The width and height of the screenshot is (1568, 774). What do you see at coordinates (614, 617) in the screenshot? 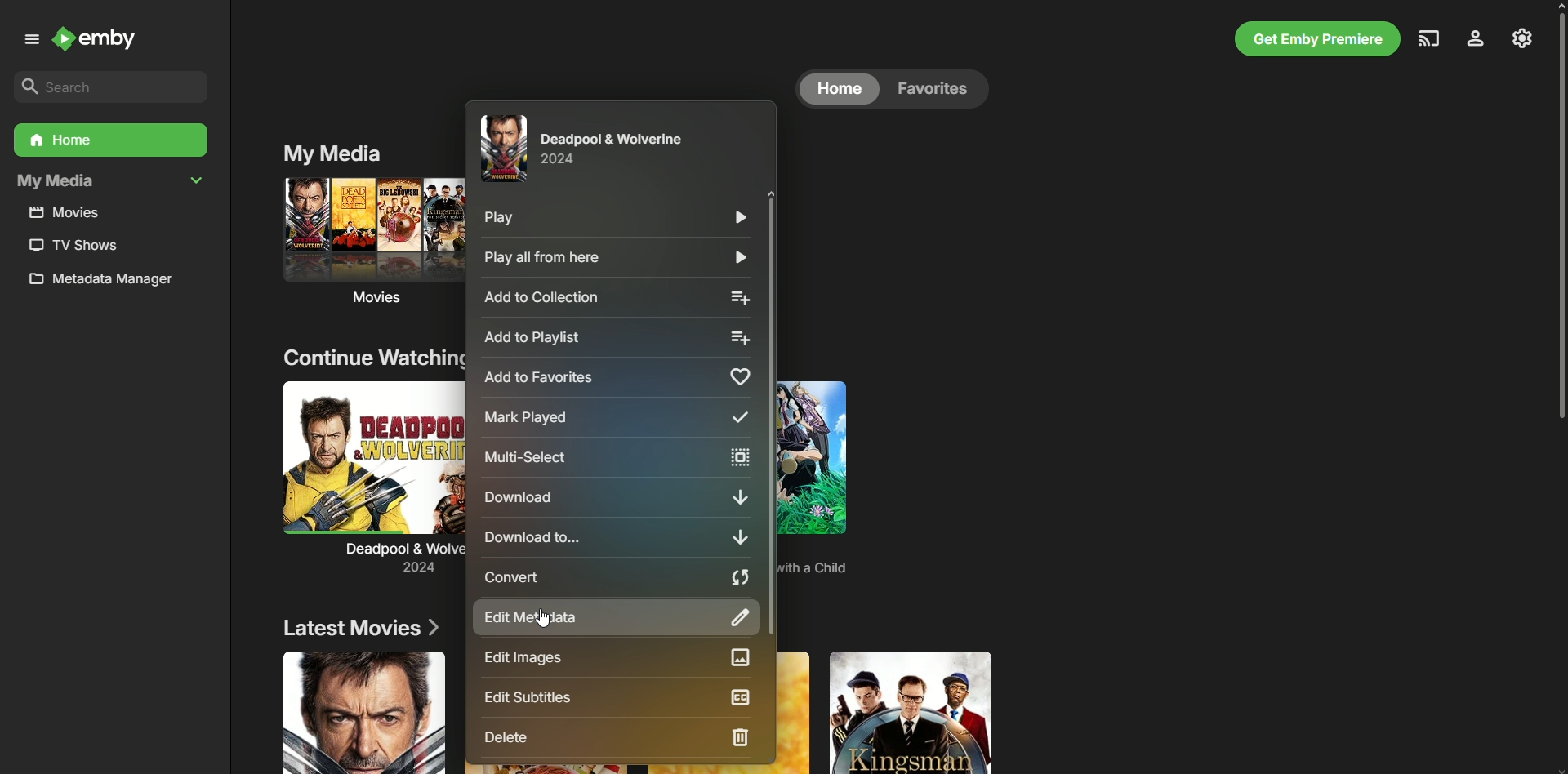
I see `Edit Metadata` at bounding box center [614, 617].